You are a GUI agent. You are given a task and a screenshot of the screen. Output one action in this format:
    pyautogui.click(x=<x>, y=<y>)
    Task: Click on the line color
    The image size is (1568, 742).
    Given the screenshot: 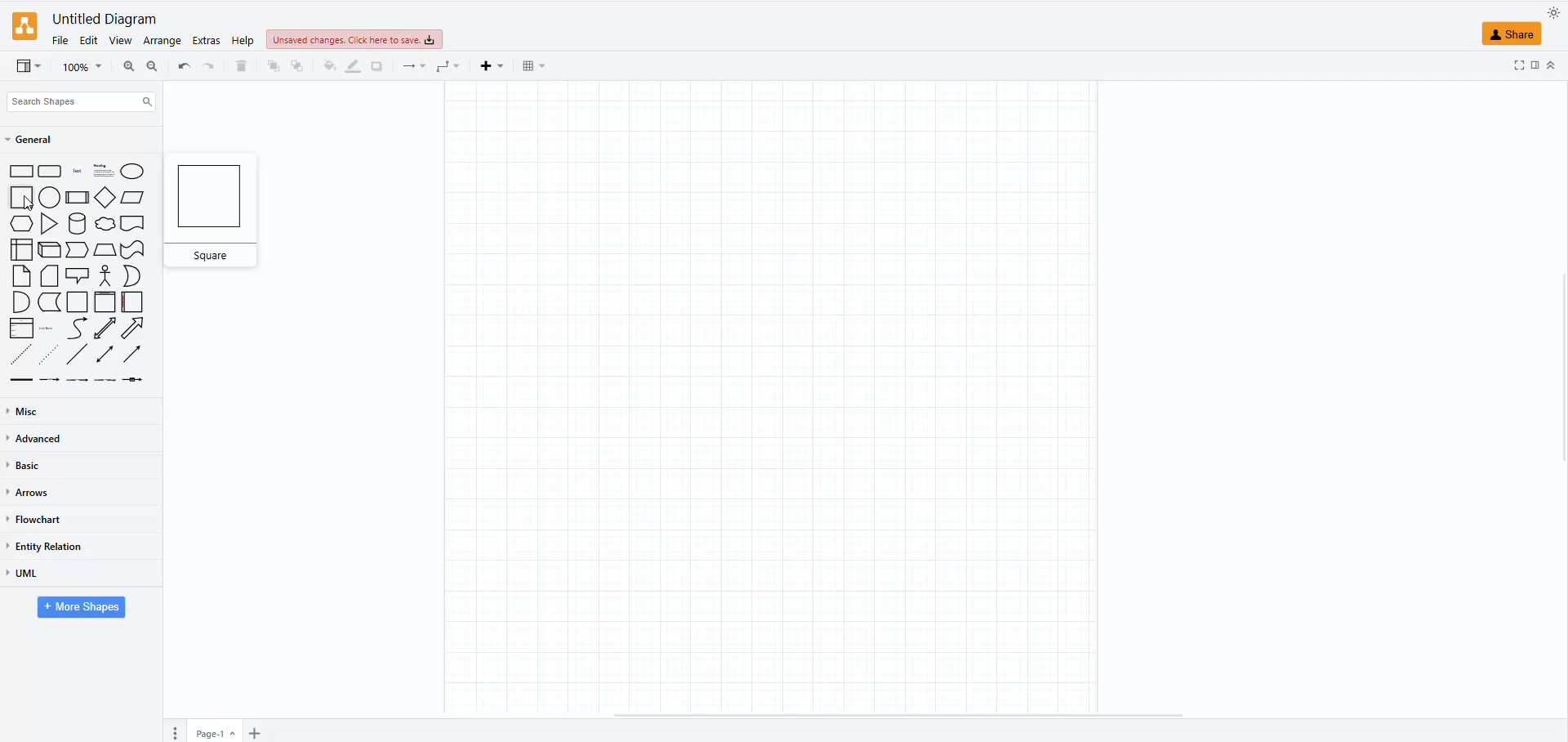 What is the action you would take?
    pyautogui.click(x=351, y=68)
    